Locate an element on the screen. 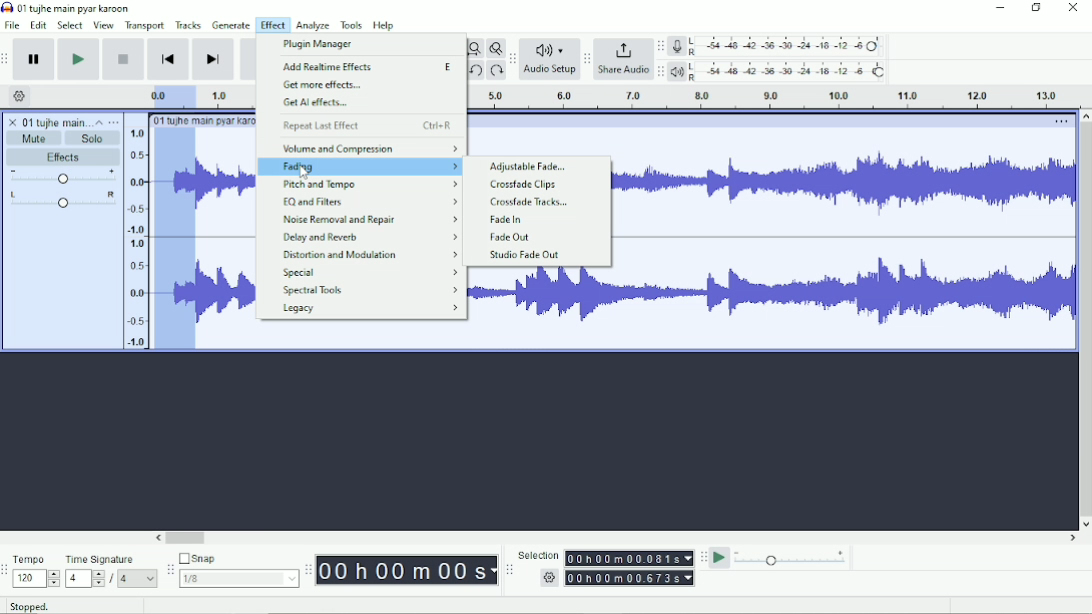  Tracks is located at coordinates (189, 24).